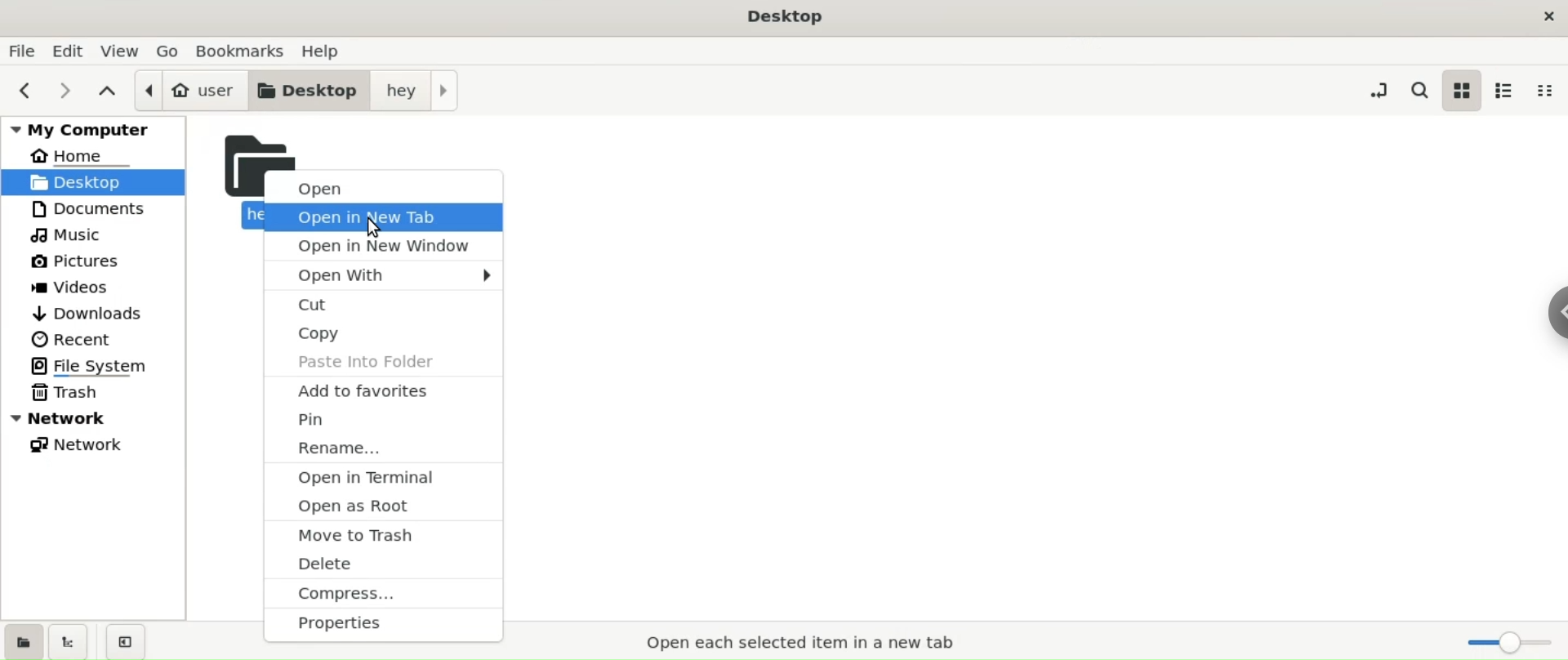 This screenshot has height=660, width=1568. I want to click on open in new window, so click(383, 246).